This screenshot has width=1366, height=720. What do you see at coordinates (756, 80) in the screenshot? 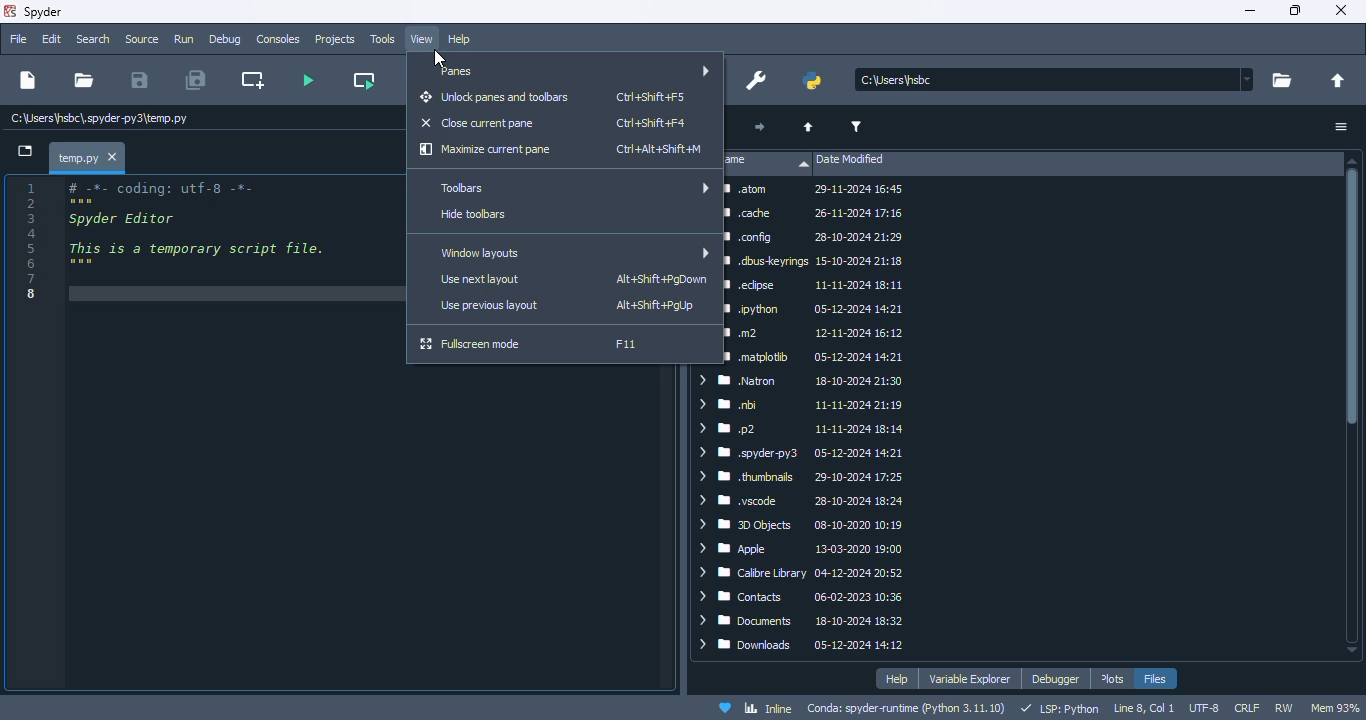
I see `preferences` at bounding box center [756, 80].